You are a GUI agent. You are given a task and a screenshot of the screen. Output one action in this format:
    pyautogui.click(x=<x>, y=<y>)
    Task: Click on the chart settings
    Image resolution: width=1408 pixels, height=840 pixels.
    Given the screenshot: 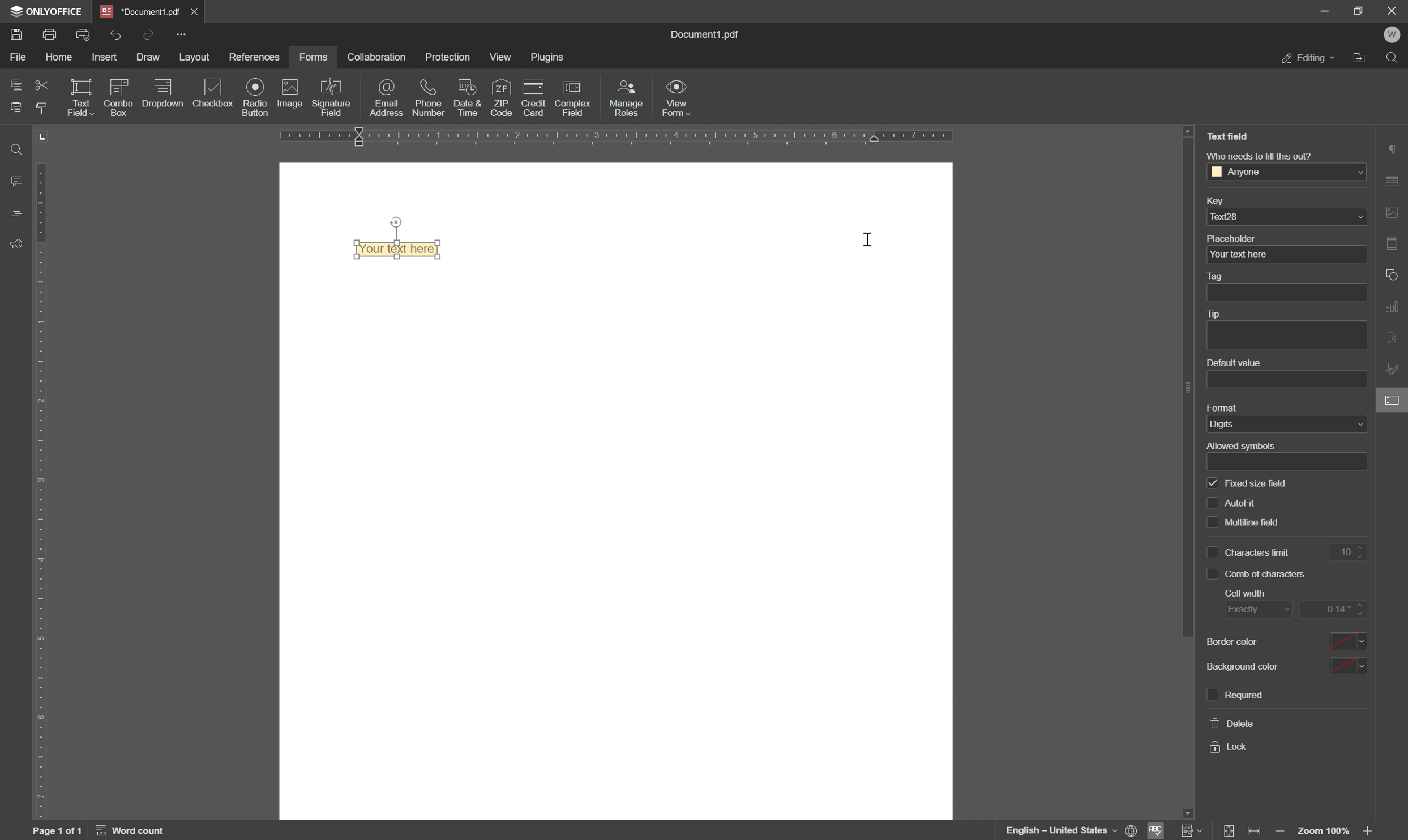 What is the action you would take?
    pyautogui.click(x=1392, y=306)
    